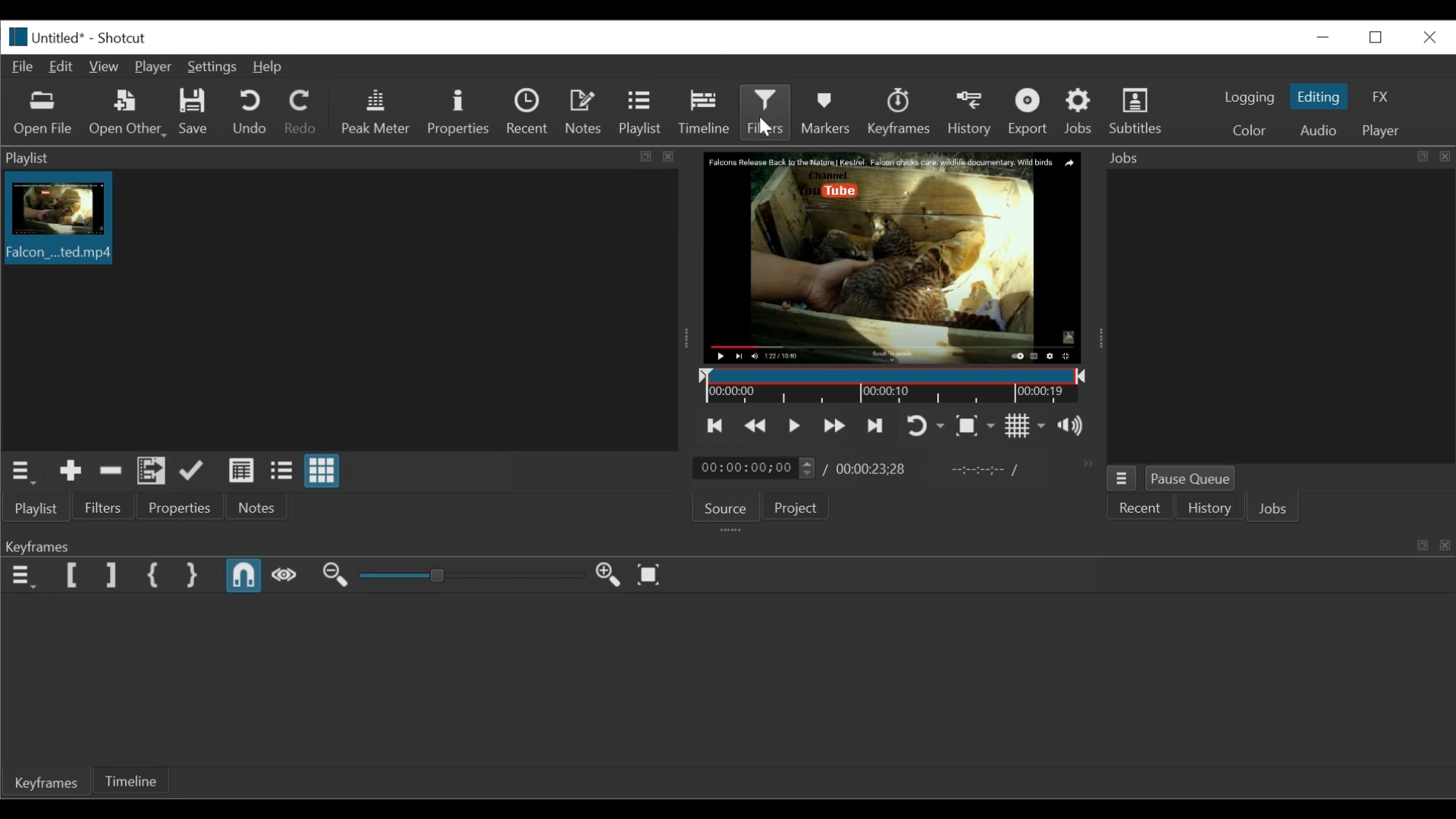 This screenshot has height=819, width=1456. Describe the element at coordinates (767, 127) in the screenshot. I see `Cursor` at that location.